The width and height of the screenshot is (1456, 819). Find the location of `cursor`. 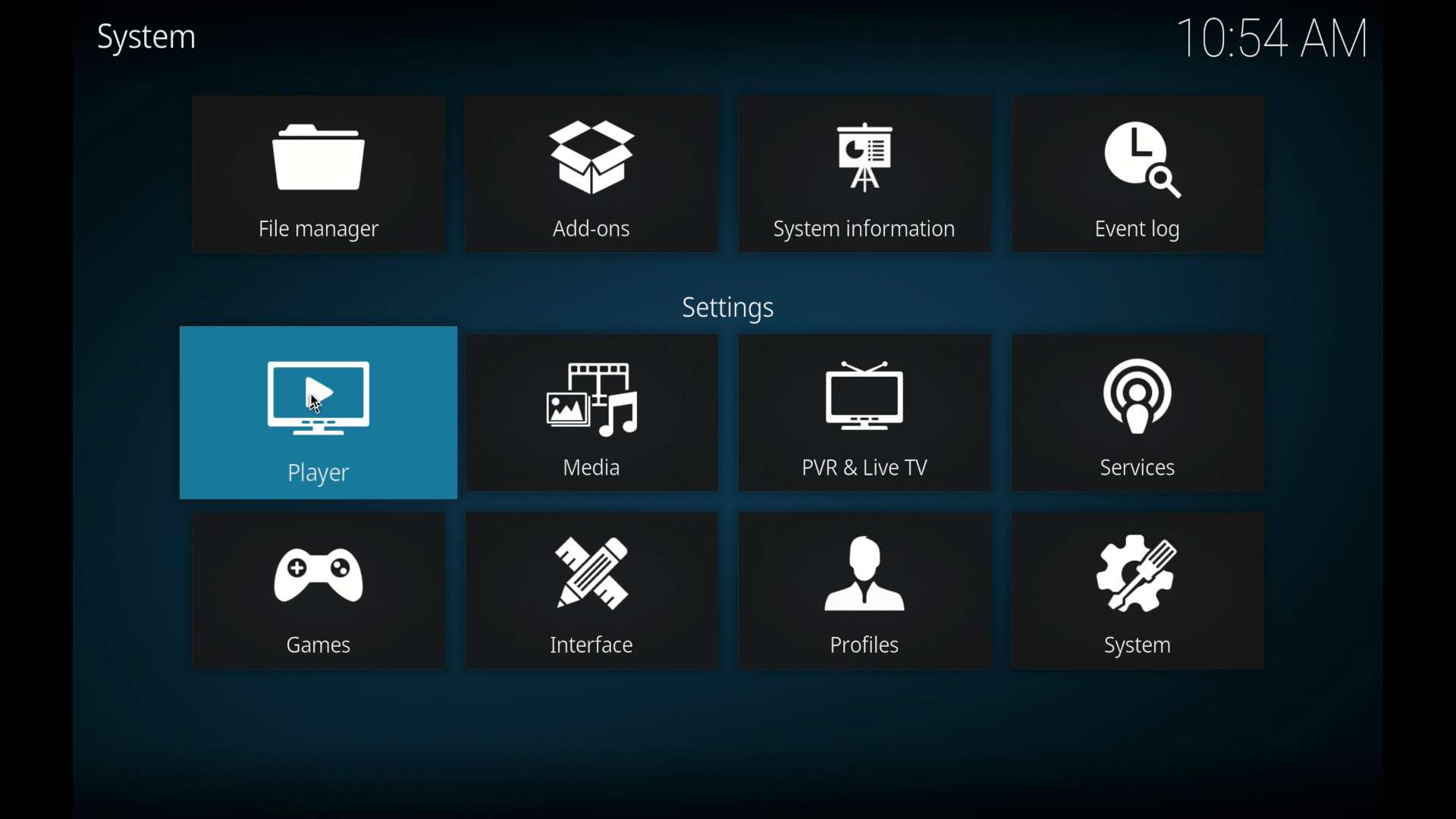

cursor is located at coordinates (318, 406).